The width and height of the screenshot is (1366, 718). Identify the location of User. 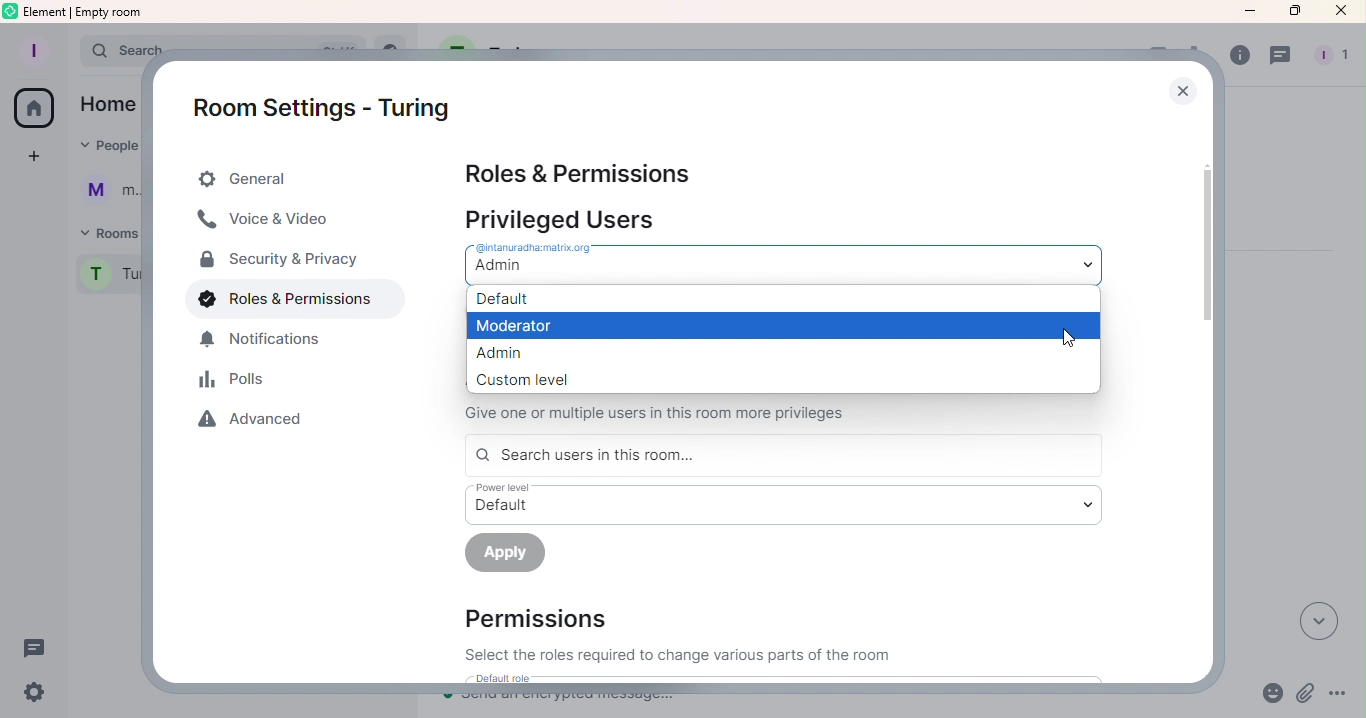
(110, 191).